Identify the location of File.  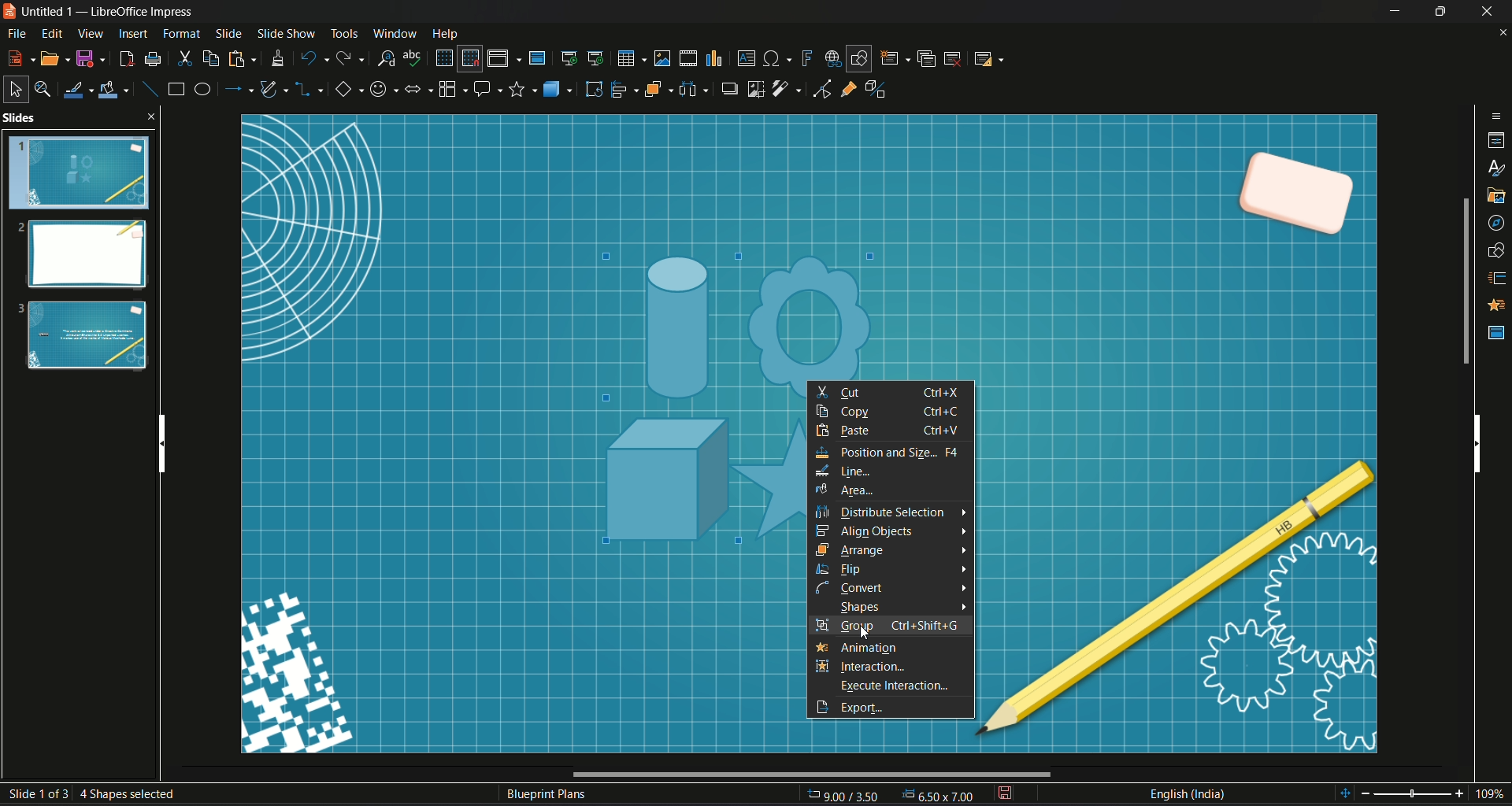
(17, 35).